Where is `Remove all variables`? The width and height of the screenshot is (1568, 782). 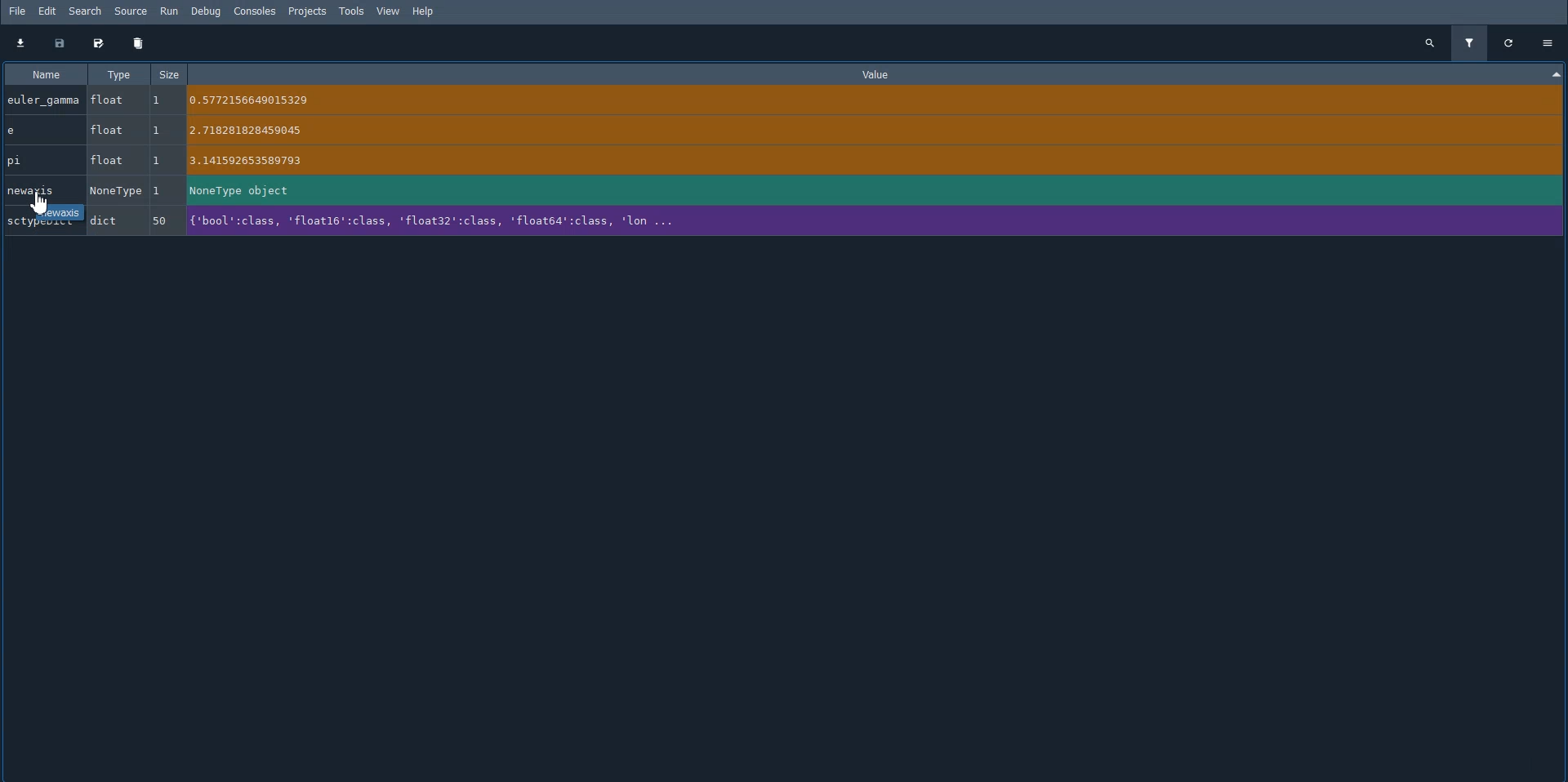
Remove all variables is located at coordinates (138, 44).